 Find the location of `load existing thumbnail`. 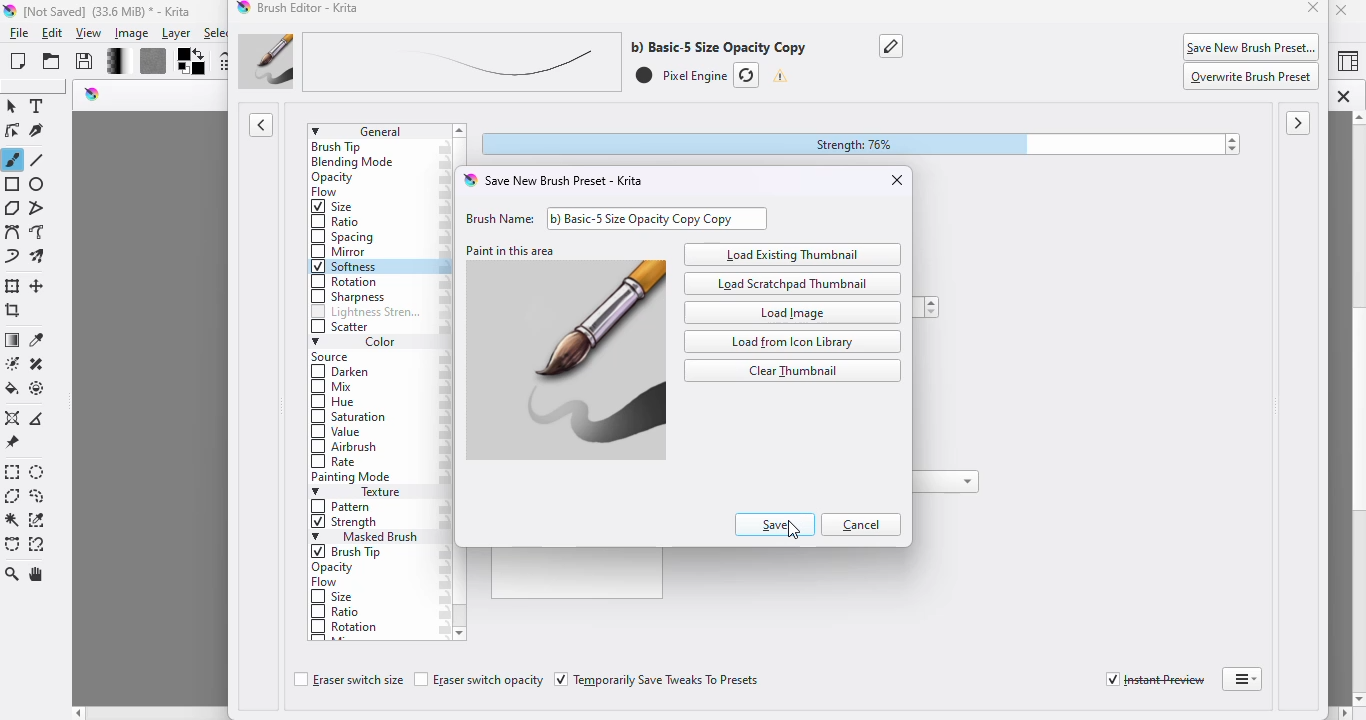

load existing thumbnail is located at coordinates (793, 255).